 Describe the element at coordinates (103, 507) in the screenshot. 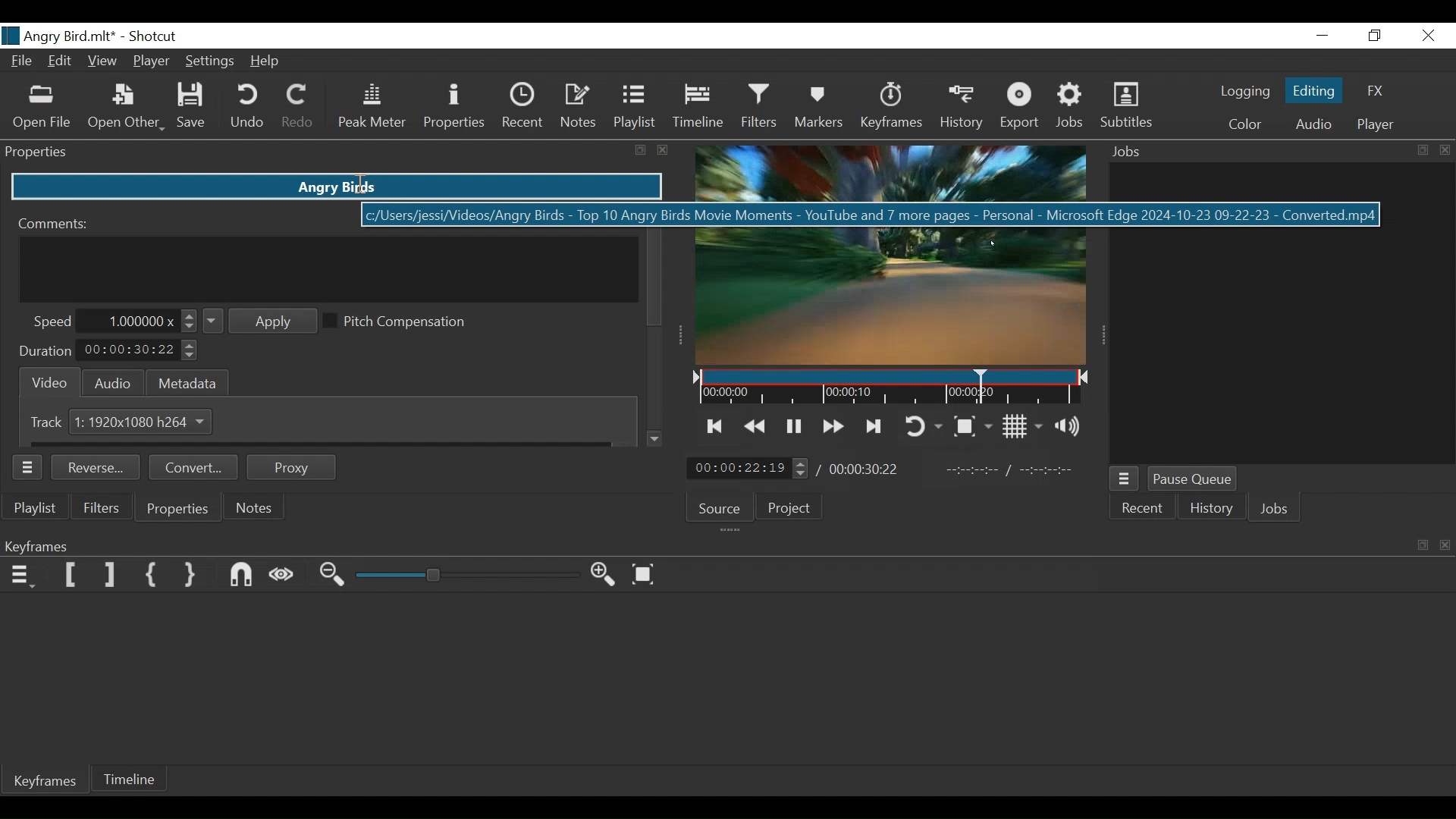

I see `Filters` at that location.